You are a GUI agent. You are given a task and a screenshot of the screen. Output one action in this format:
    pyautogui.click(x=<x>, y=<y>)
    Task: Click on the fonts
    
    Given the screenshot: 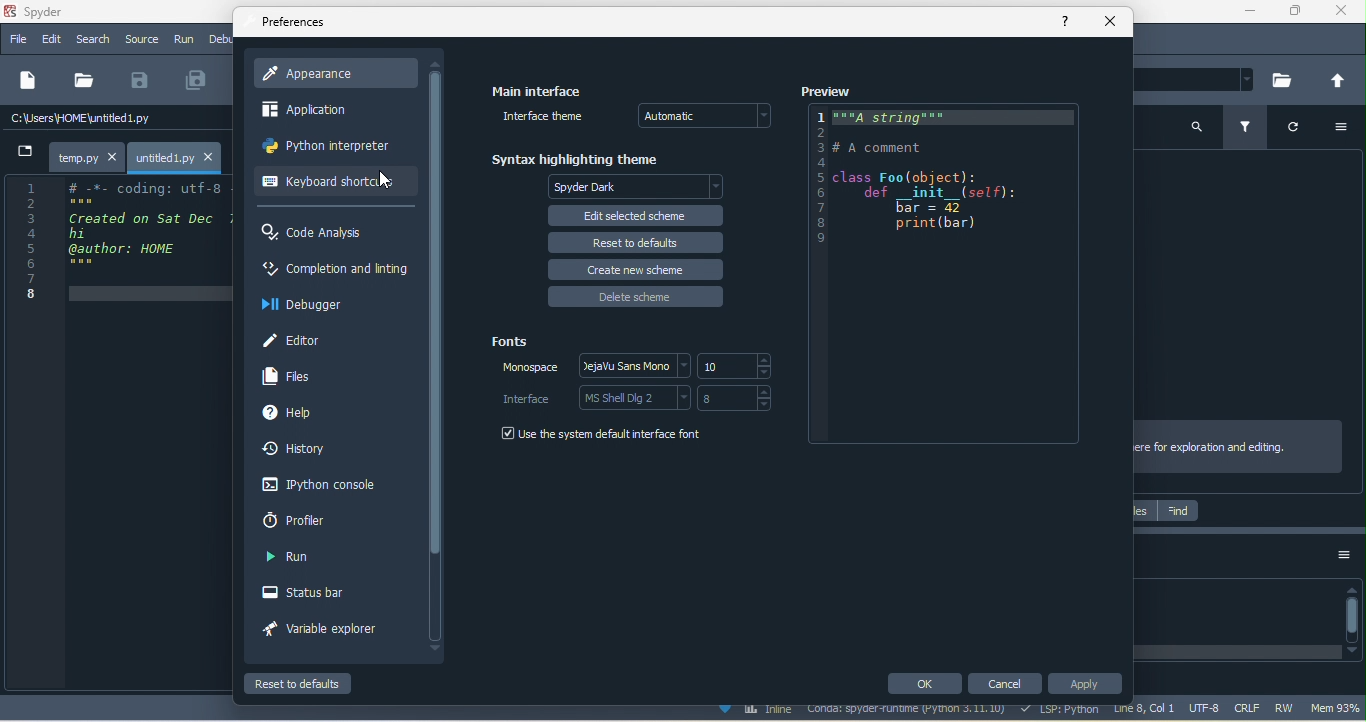 What is the action you would take?
    pyautogui.click(x=511, y=339)
    